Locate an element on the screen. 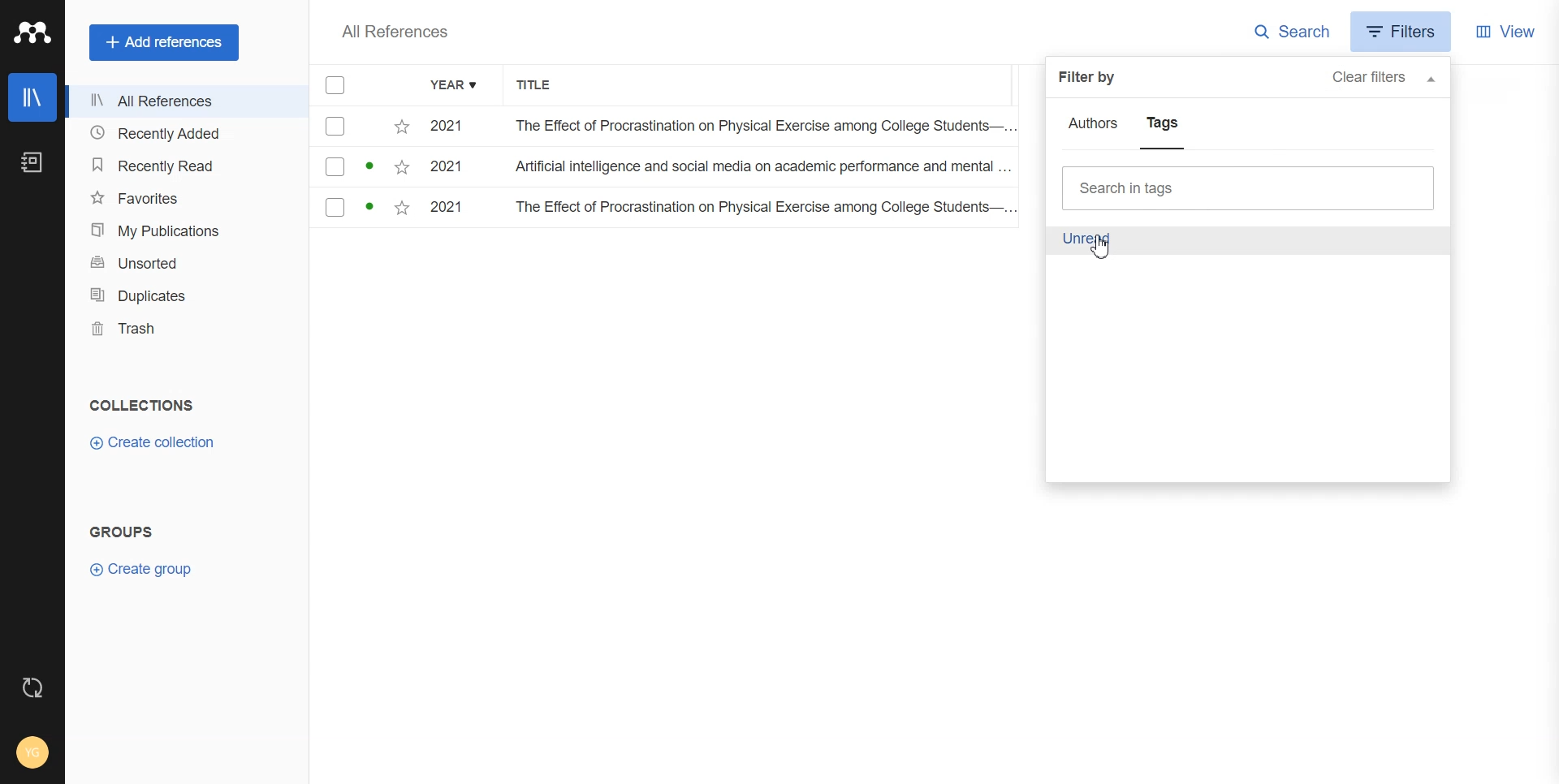 The width and height of the screenshot is (1559, 784). Trash is located at coordinates (186, 329).